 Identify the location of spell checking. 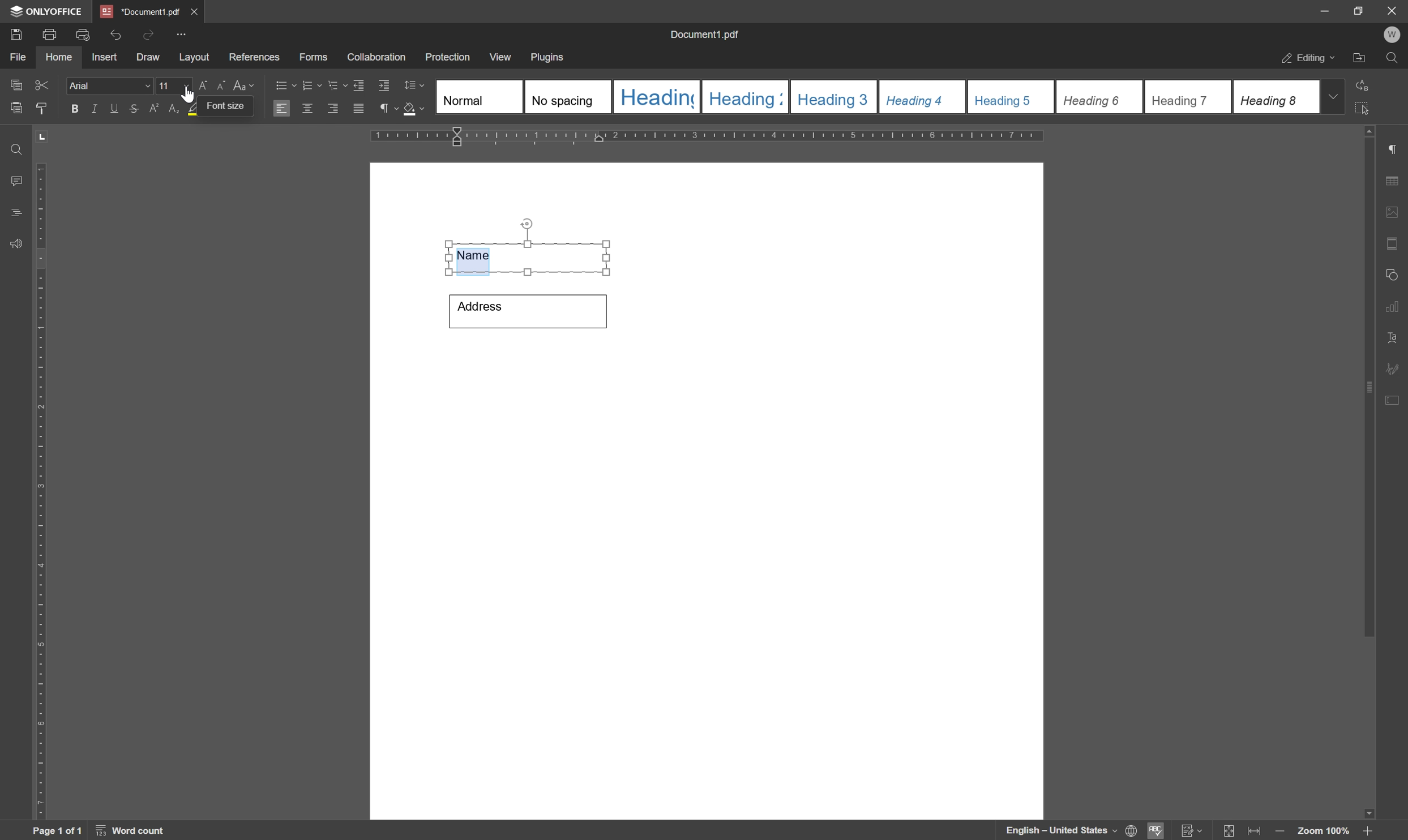
(1157, 830).